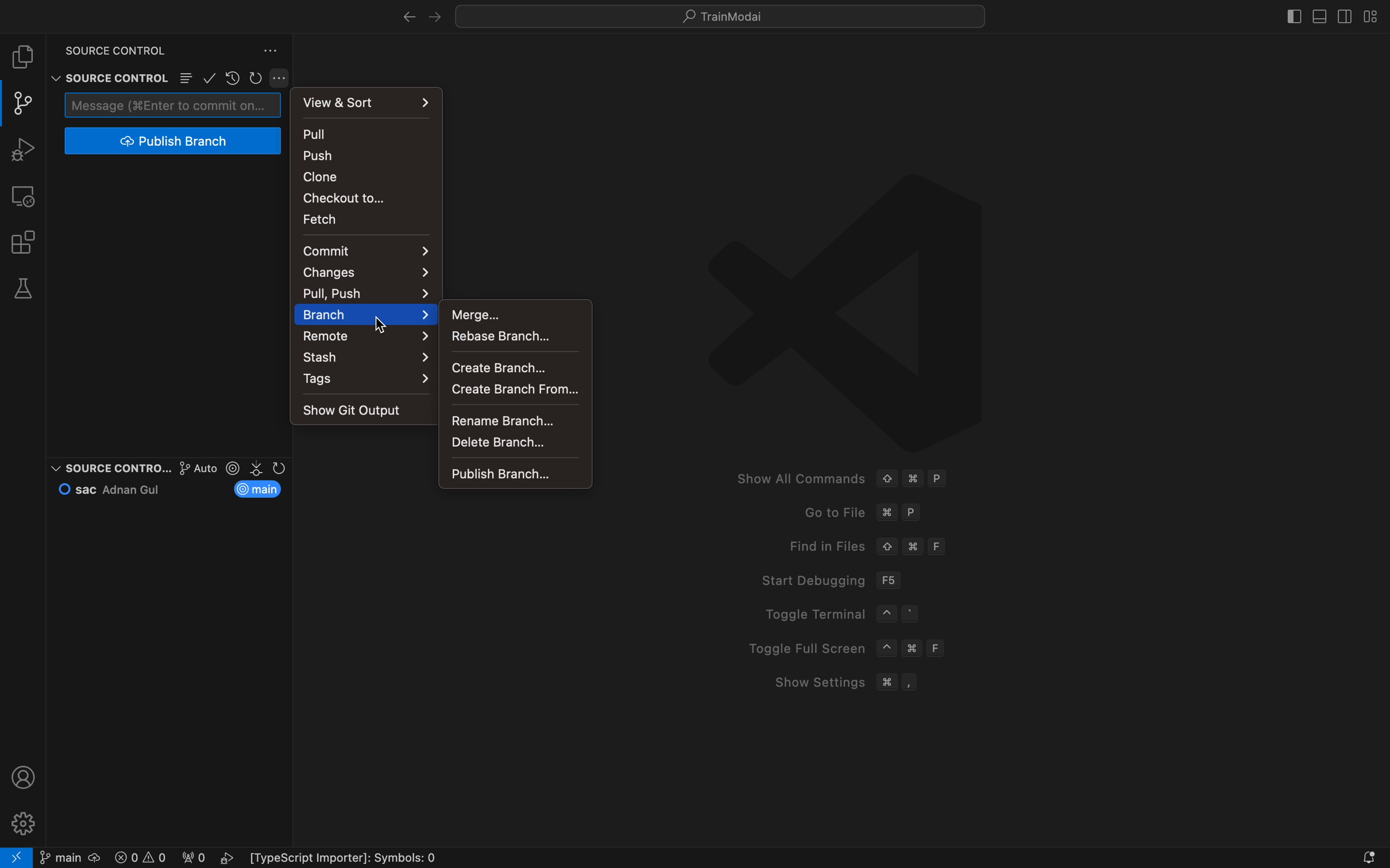 The height and width of the screenshot is (868, 1390). I want to click on git branch, so click(69, 857).